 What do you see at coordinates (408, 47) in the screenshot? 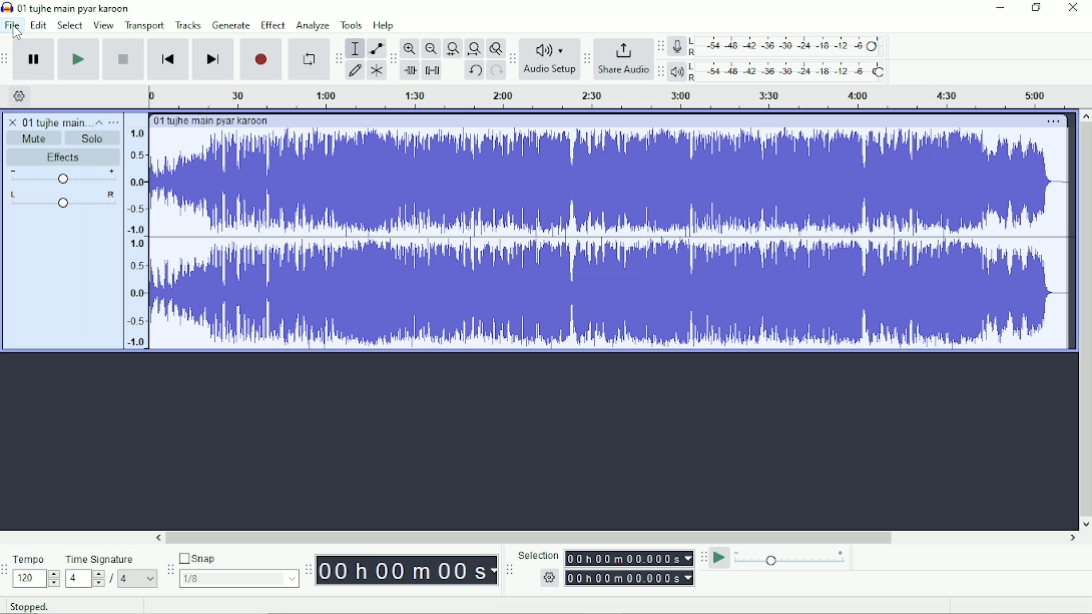
I see `Zoom In` at bounding box center [408, 47].